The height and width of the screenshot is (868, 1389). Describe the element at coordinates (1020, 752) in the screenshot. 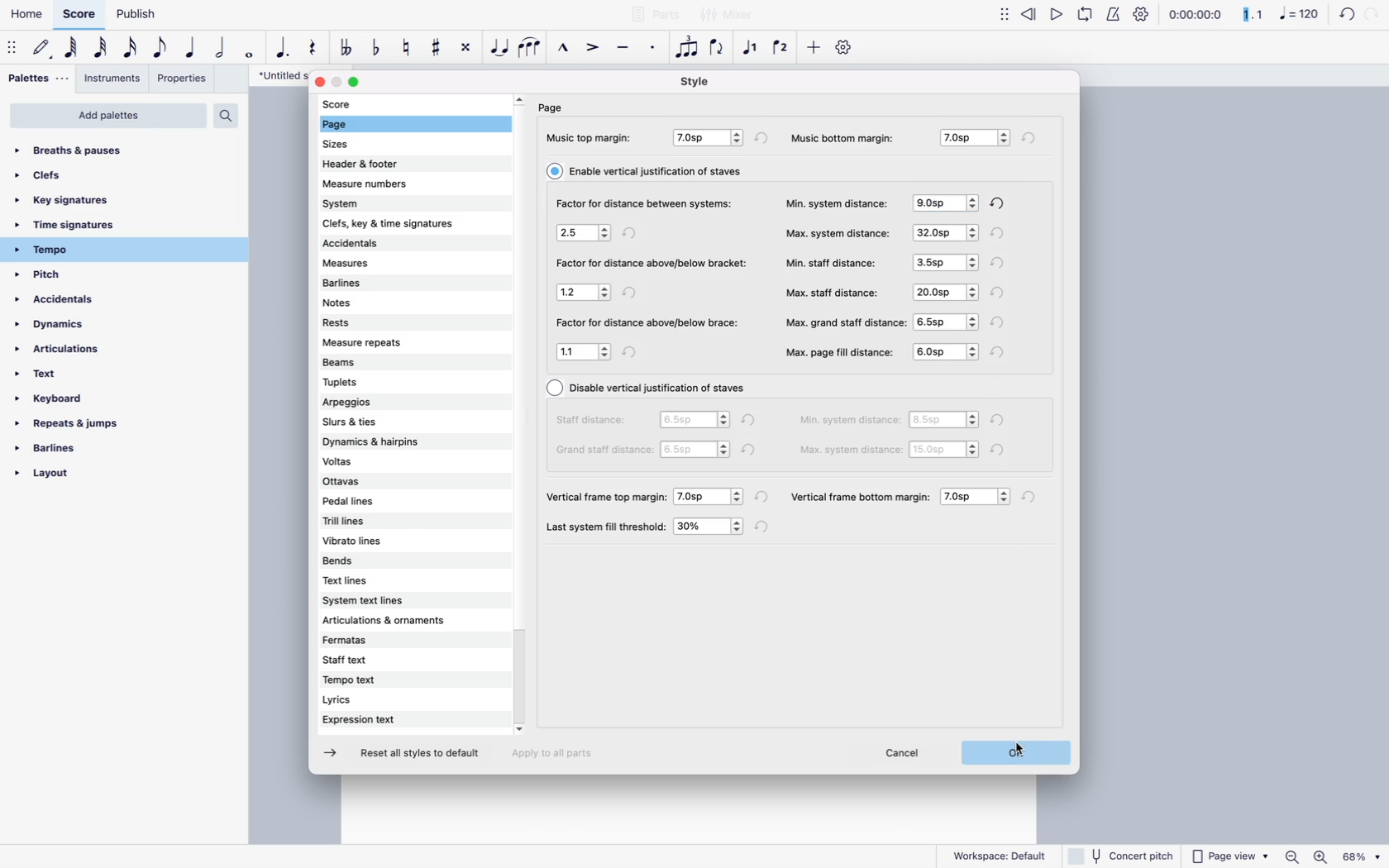

I see `ok` at that location.